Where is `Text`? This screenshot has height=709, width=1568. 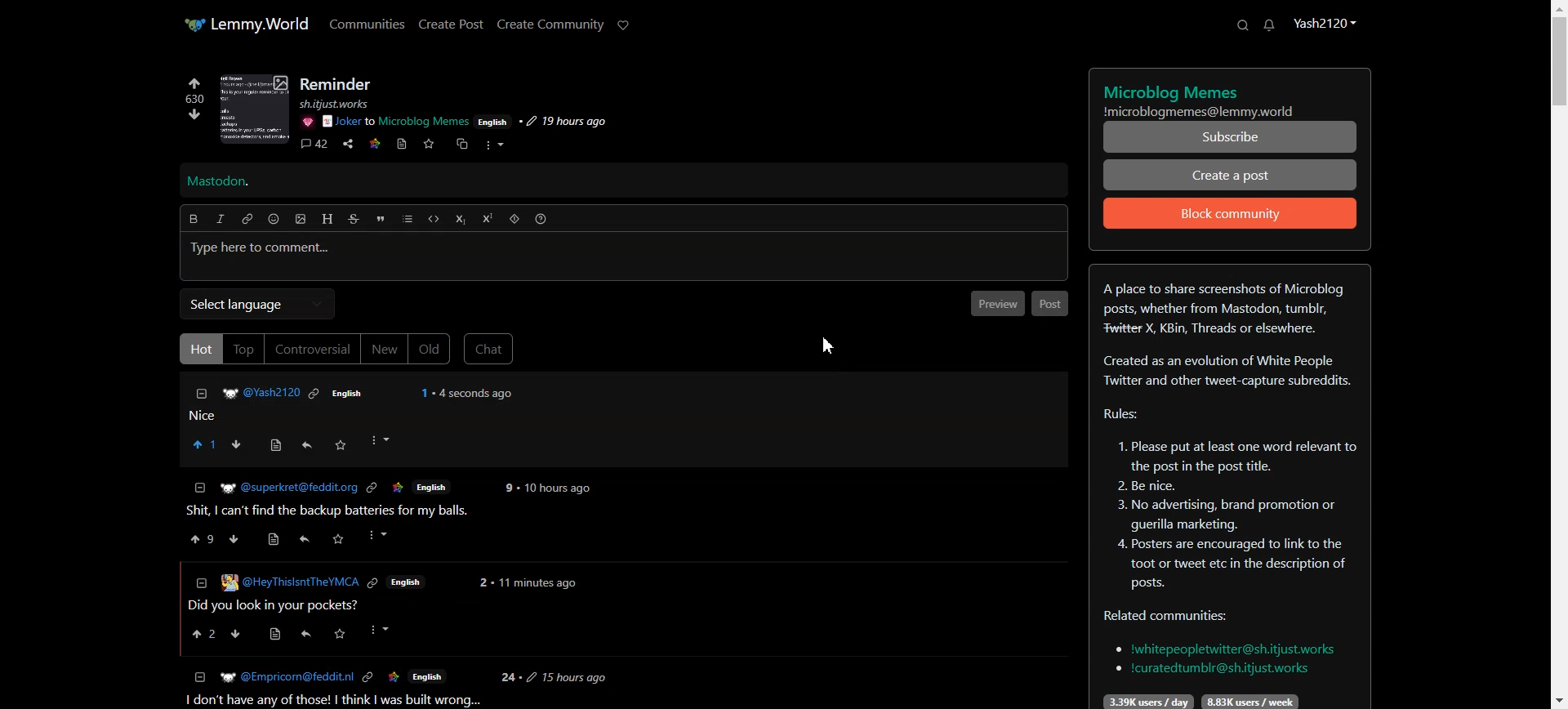 Text is located at coordinates (337, 84).